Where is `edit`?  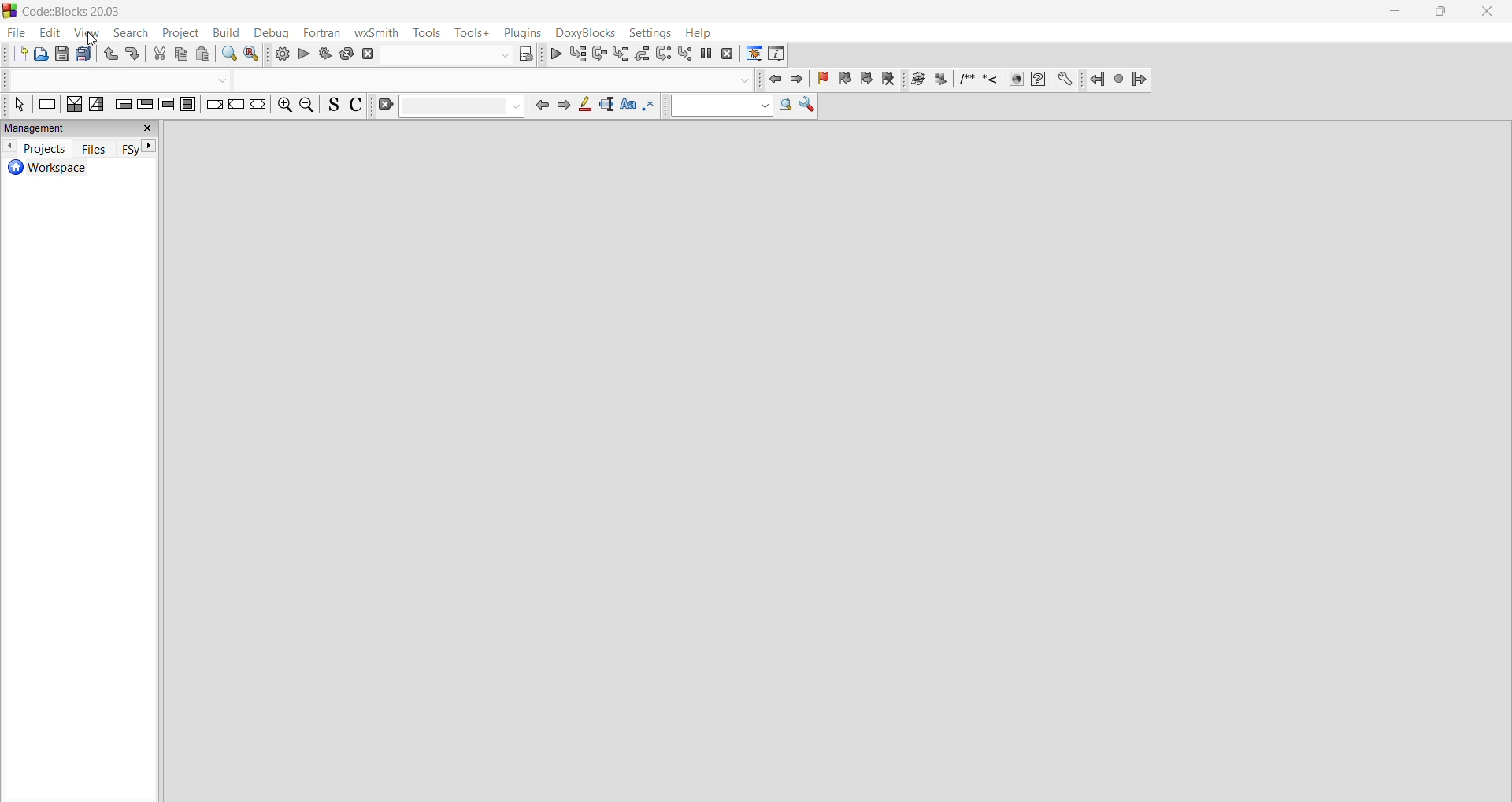 edit is located at coordinates (51, 33).